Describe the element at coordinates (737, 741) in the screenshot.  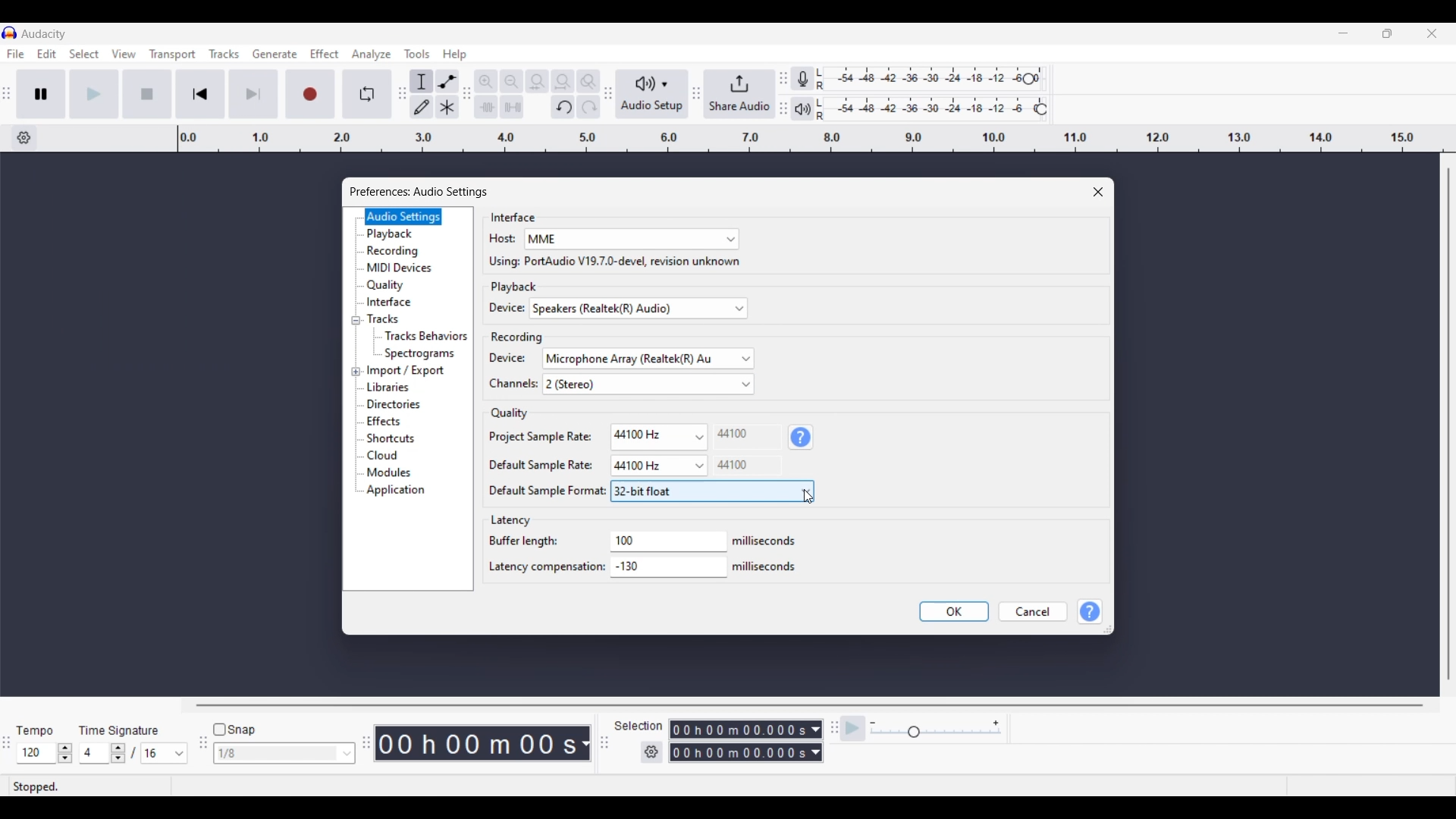
I see `Recording duration` at that location.